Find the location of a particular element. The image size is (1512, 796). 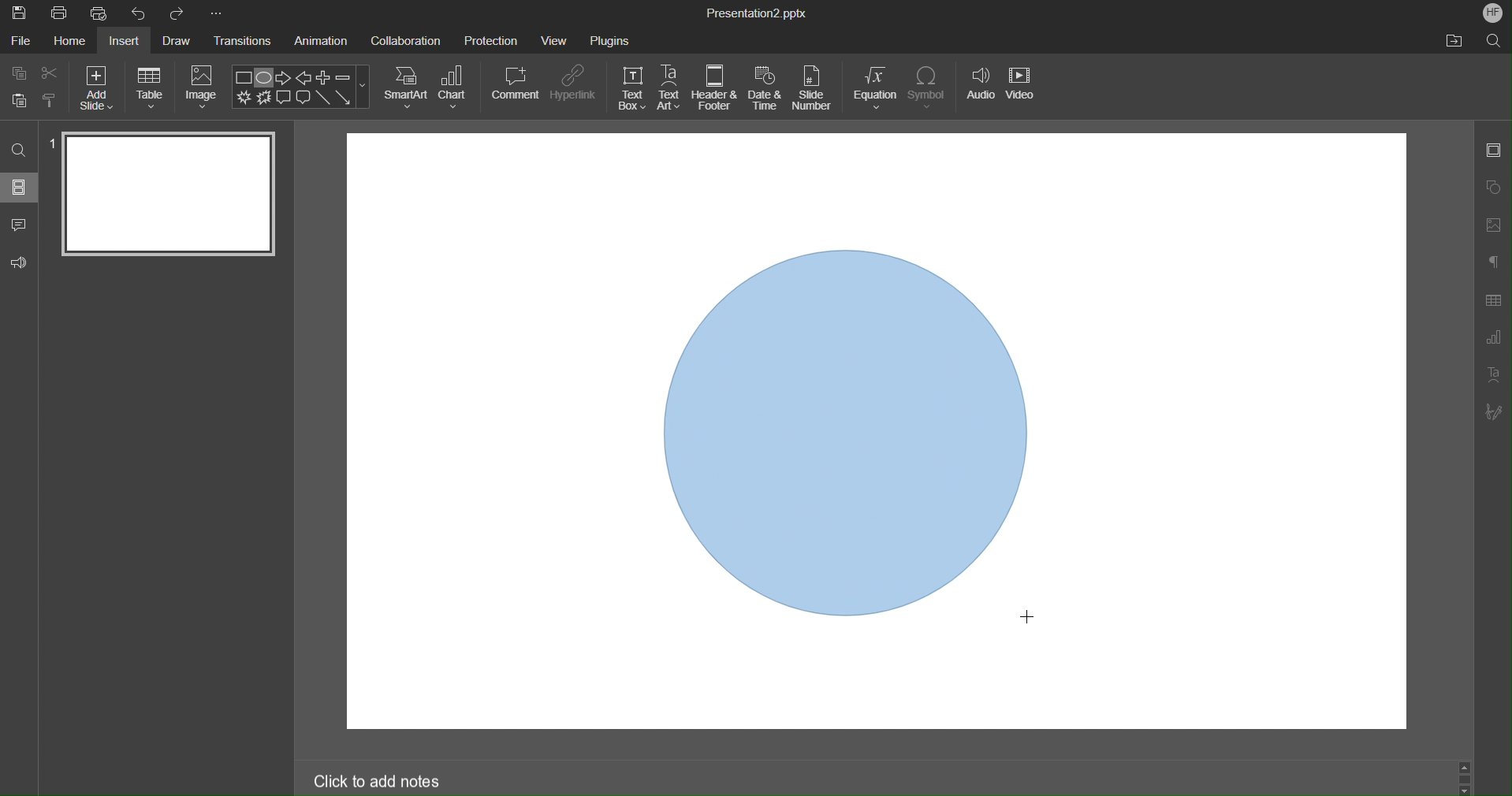

Feedback & Support is located at coordinates (20, 261).